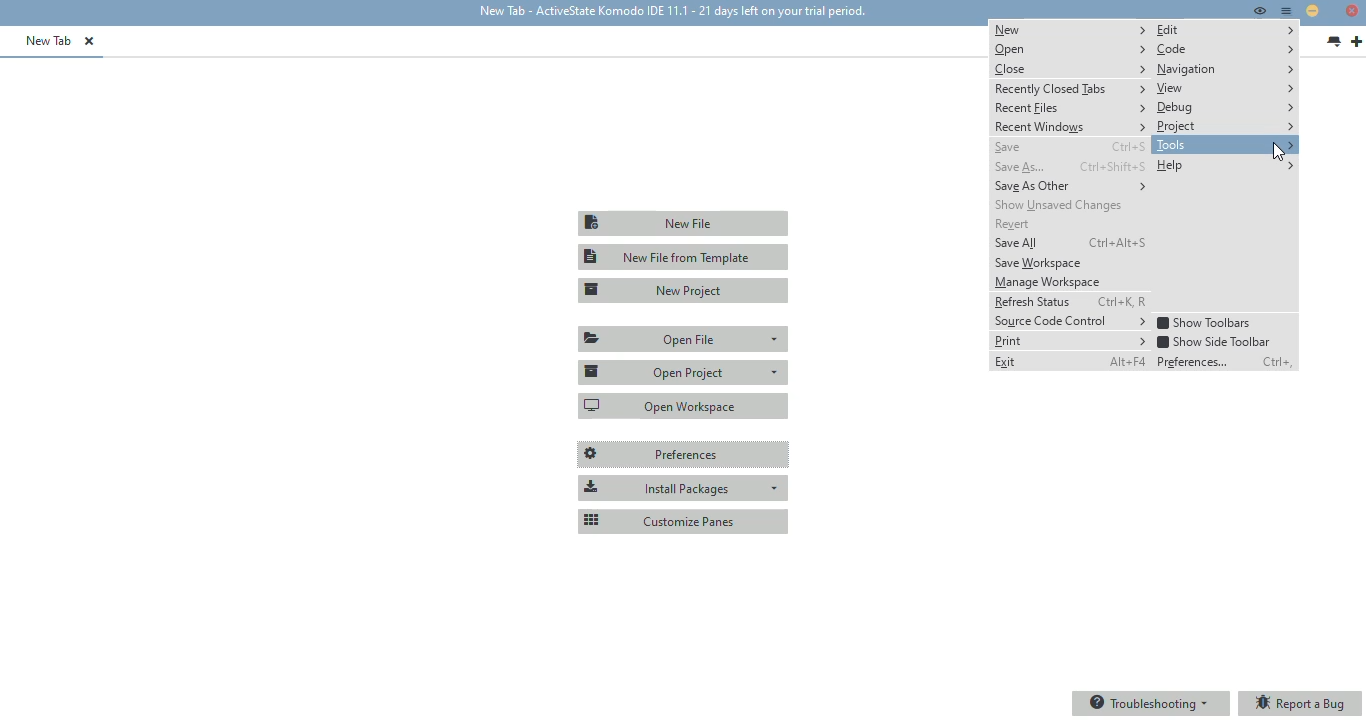  Describe the element at coordinates (684, 405) in the screenshot. I see `open workspace` at that location.